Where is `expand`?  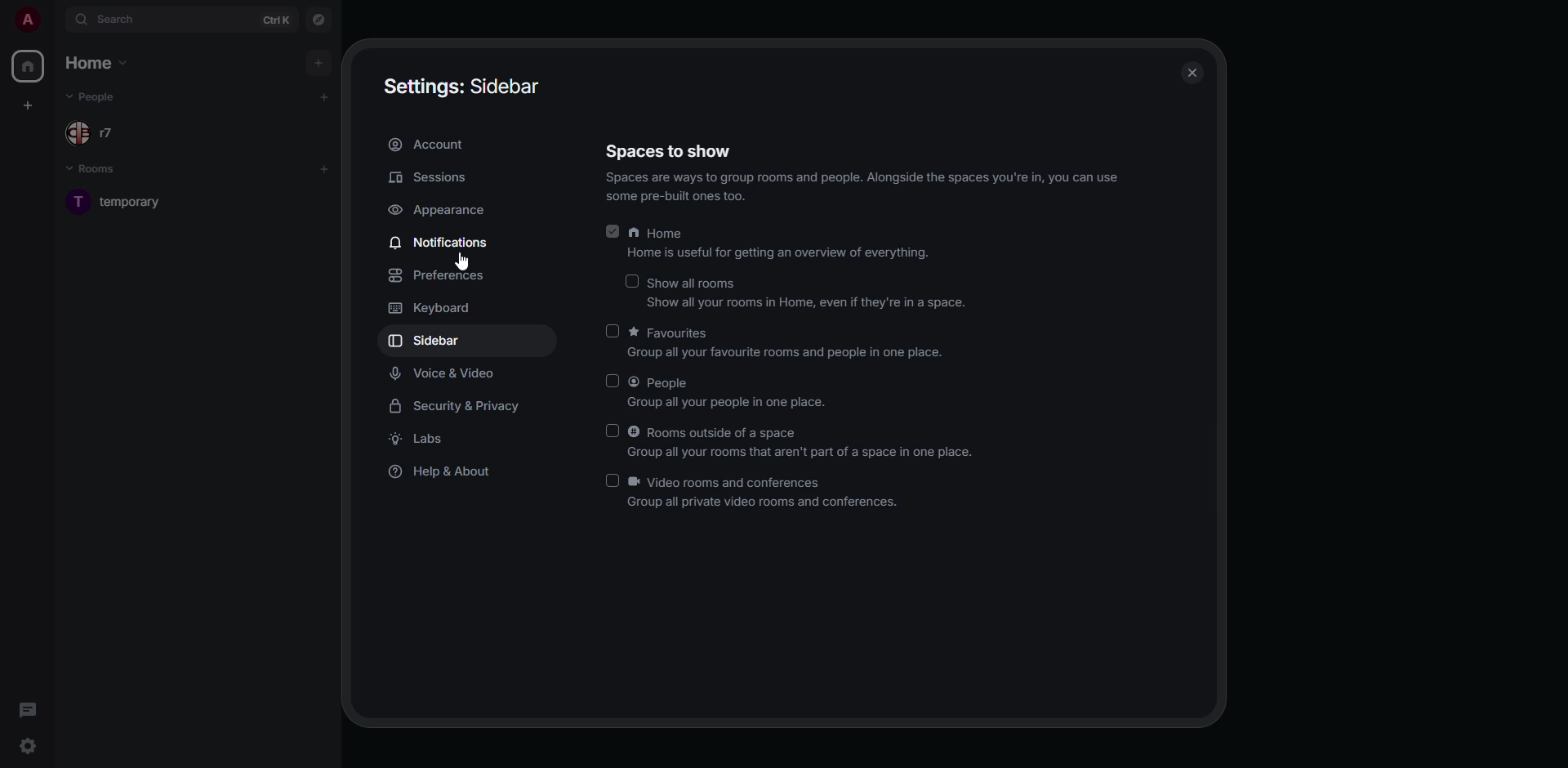 expand is located at coordinates (56, 19).